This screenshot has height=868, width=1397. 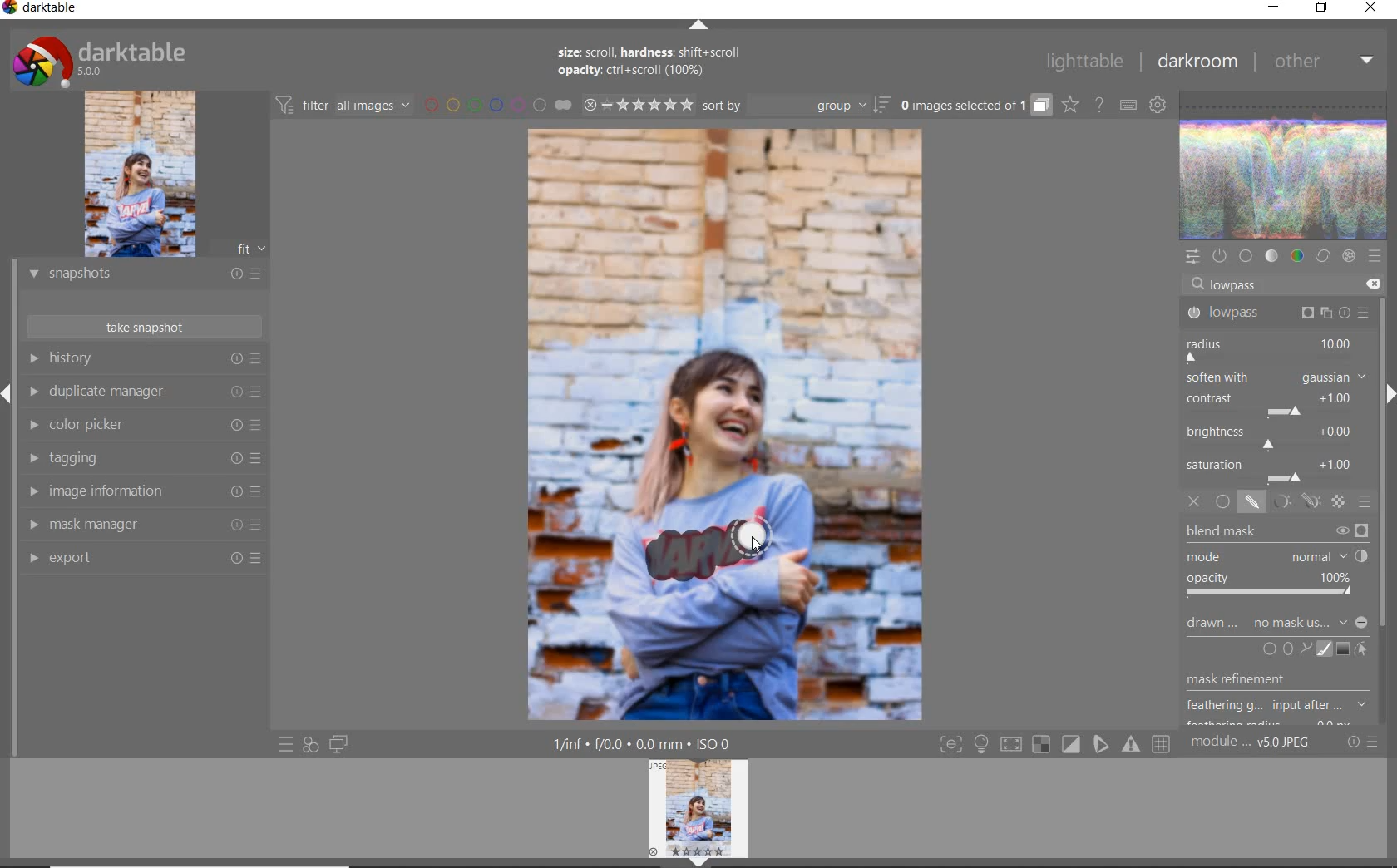 What do you see at coordinates (1241, 286) in the screenshot?
I see `lowpass` at bounding box center [1241, 286].